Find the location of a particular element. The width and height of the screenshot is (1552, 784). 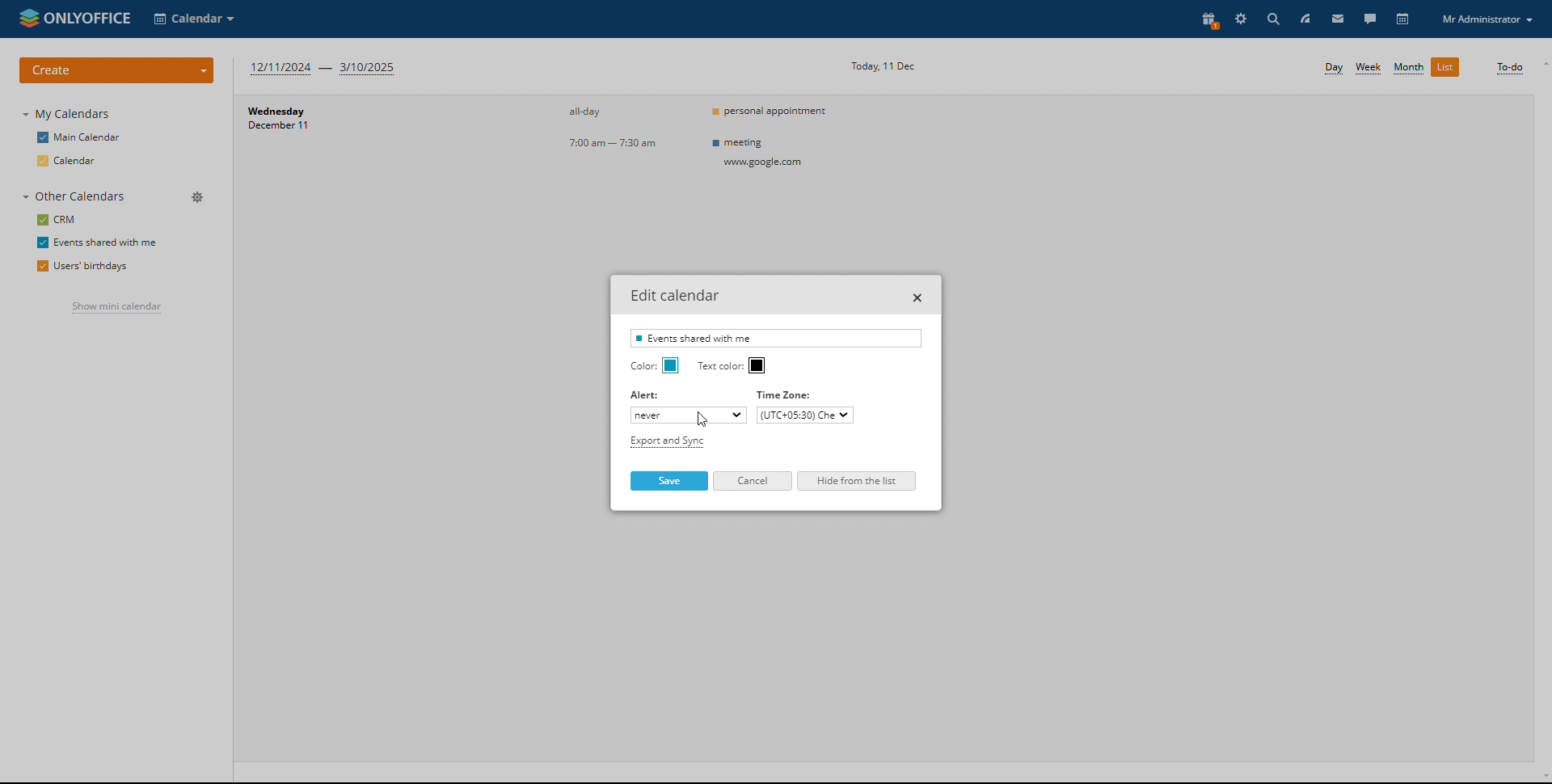

save is located at coordinates (670, 480).